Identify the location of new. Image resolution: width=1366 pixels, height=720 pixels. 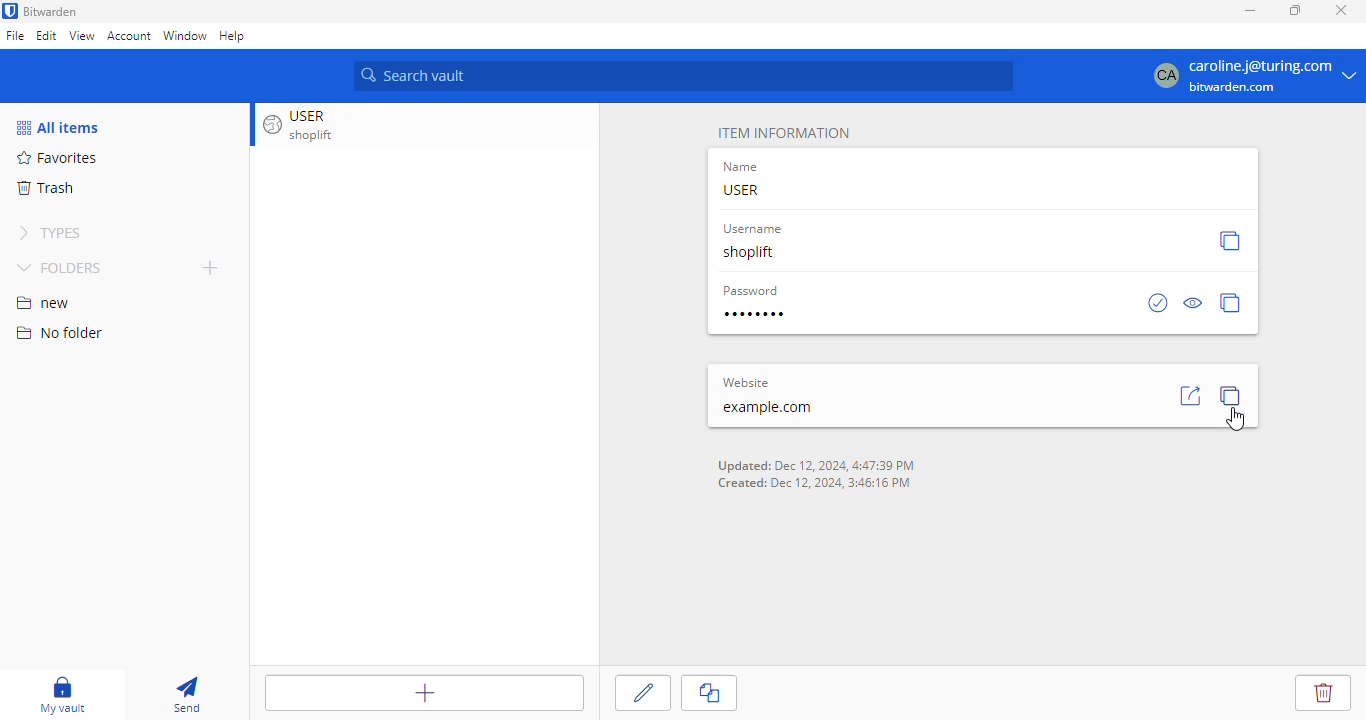
(43, 303).